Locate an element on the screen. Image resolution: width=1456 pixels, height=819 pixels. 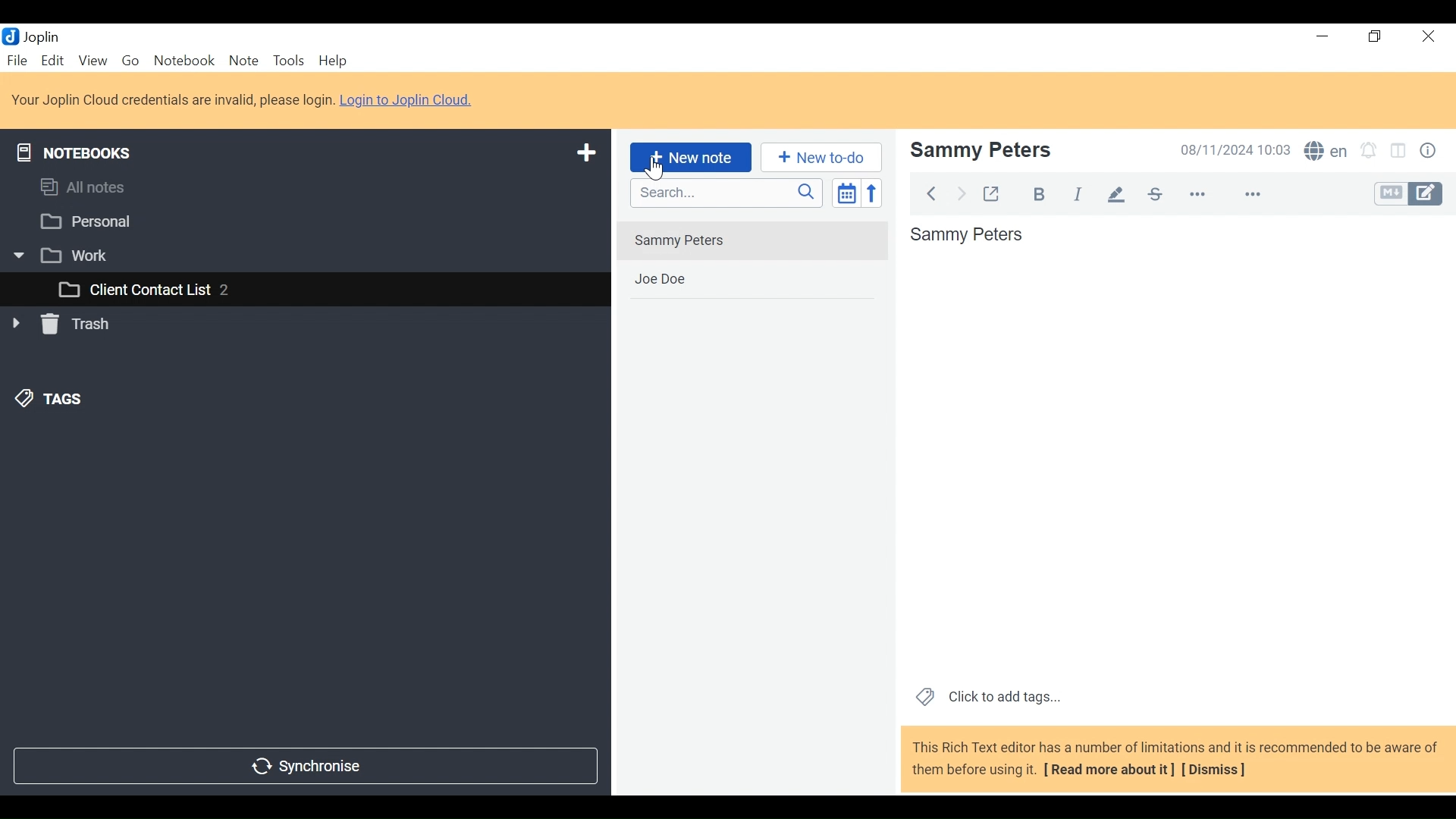
Strikethrough is located at coordinates (1155, 194).